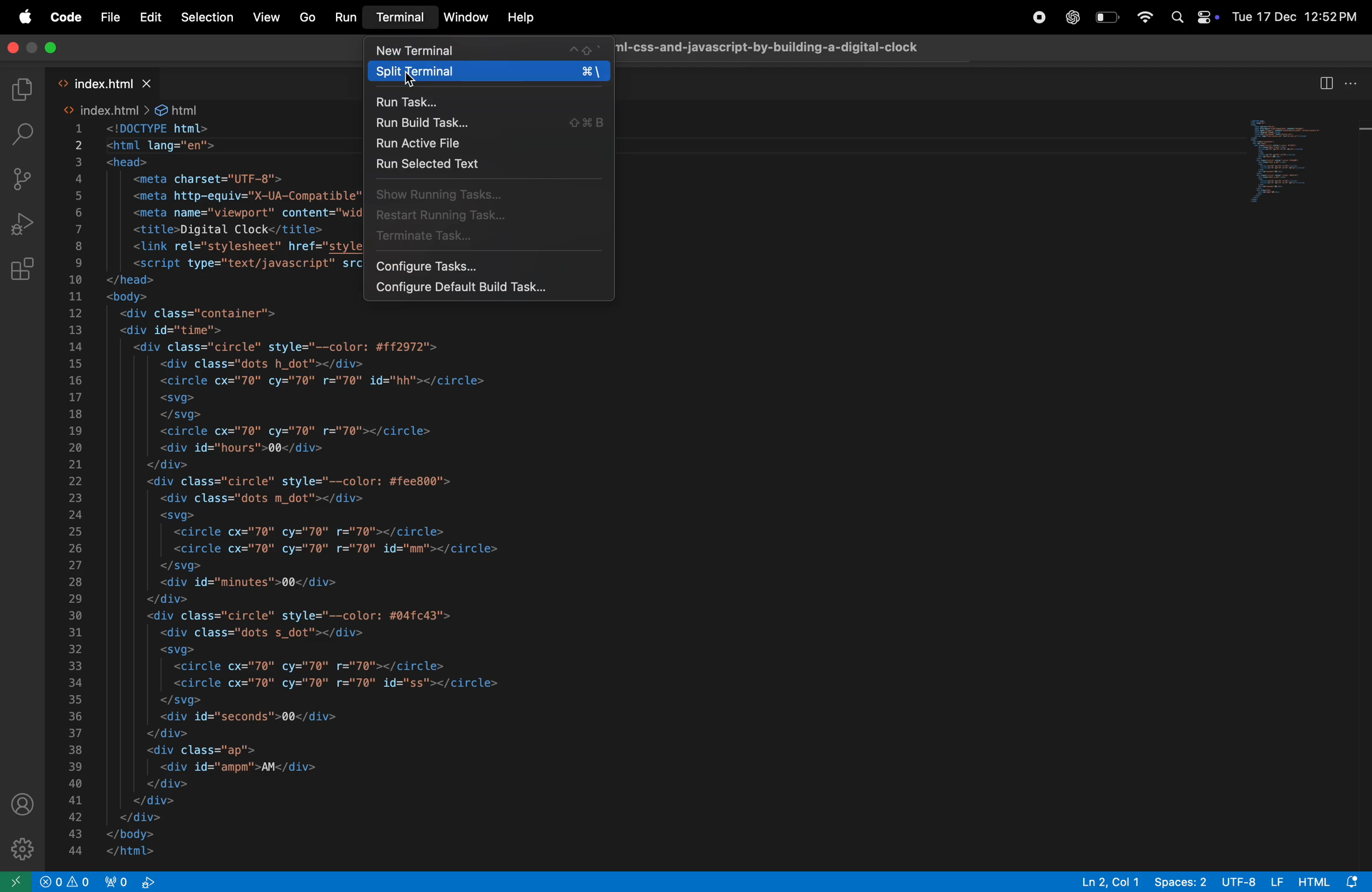 The image size is (1372, 892). What do you see at coordinates (24, 800) in the screenshot?
I see `profile` at bounding box center [24, 800].